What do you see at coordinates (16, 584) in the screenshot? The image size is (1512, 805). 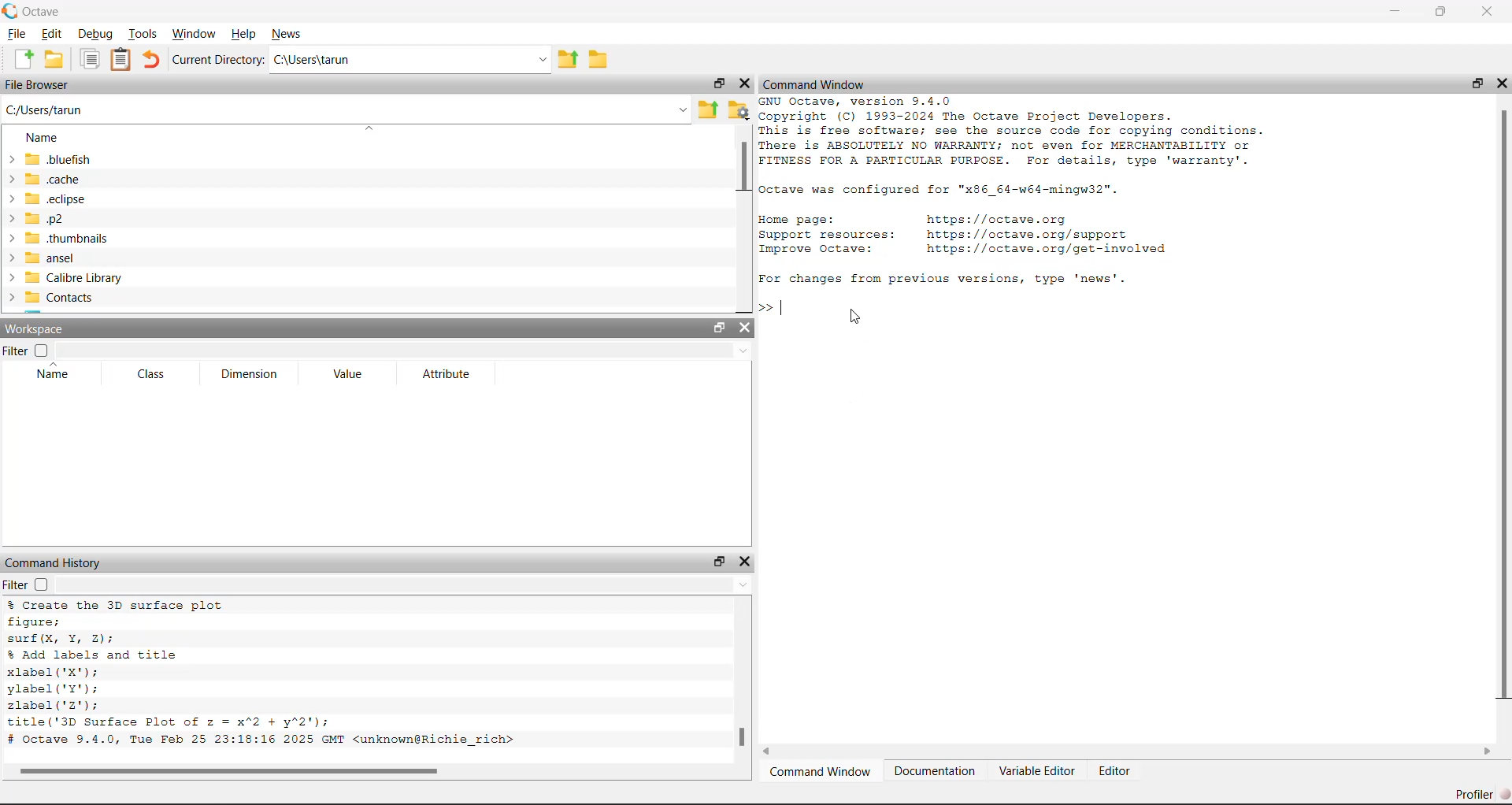 I see `Filter` at bounding box center [16, 584].